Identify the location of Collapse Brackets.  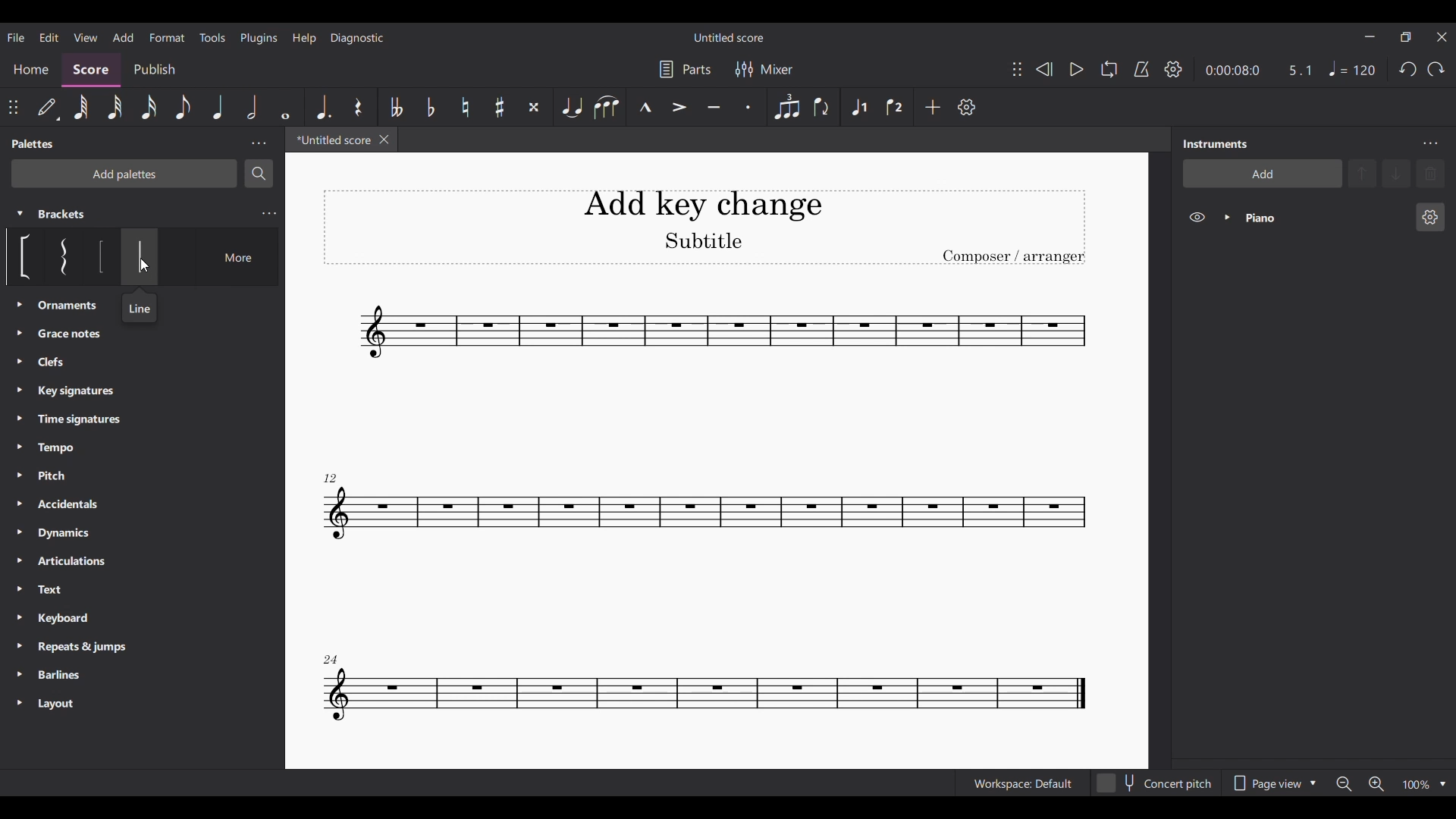
(20, 214).